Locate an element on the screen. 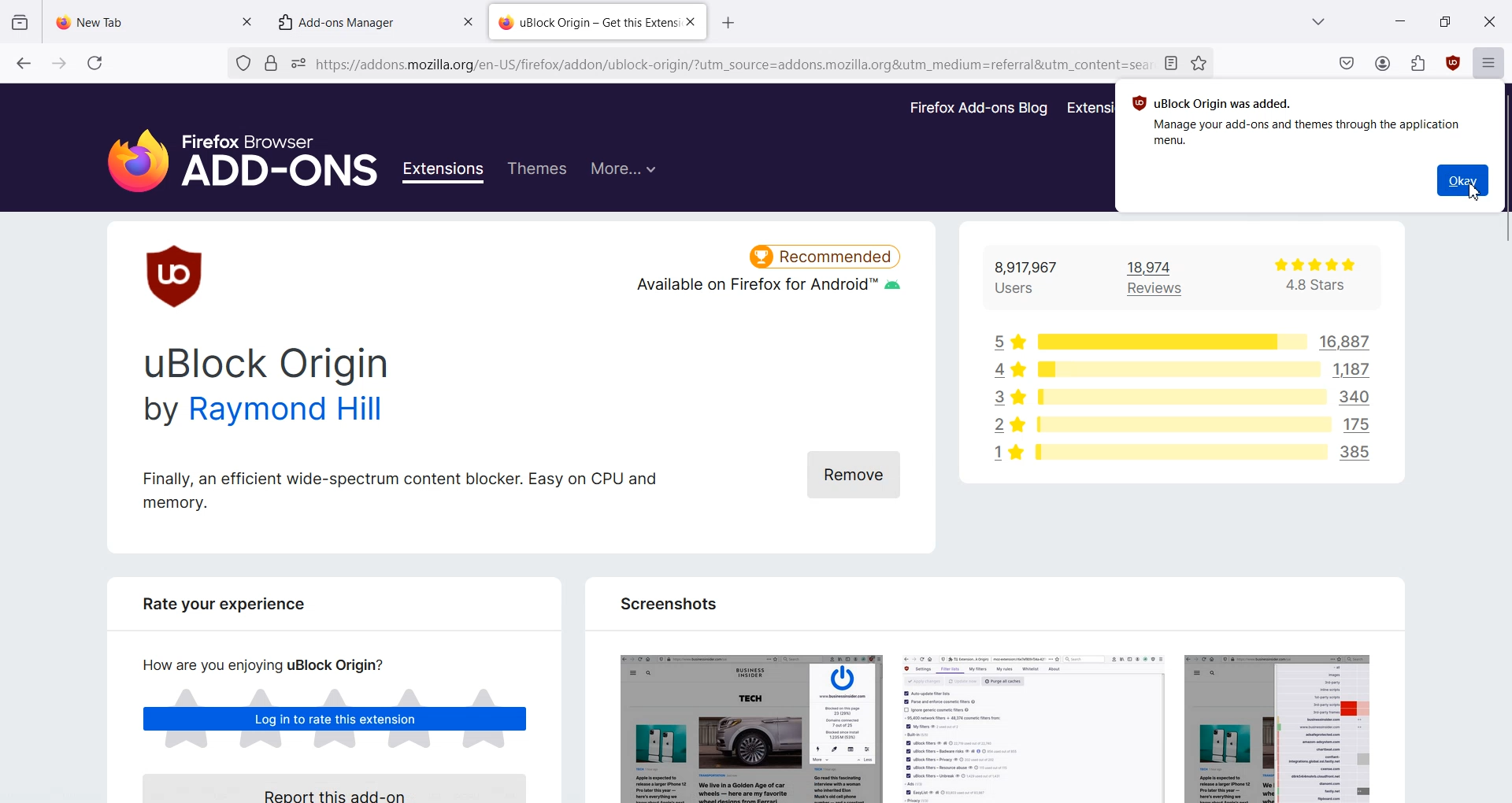 The height and width of the screenshot is (803, 1512). J uBlock Origin was added. is located at coordinates (1247, 105).